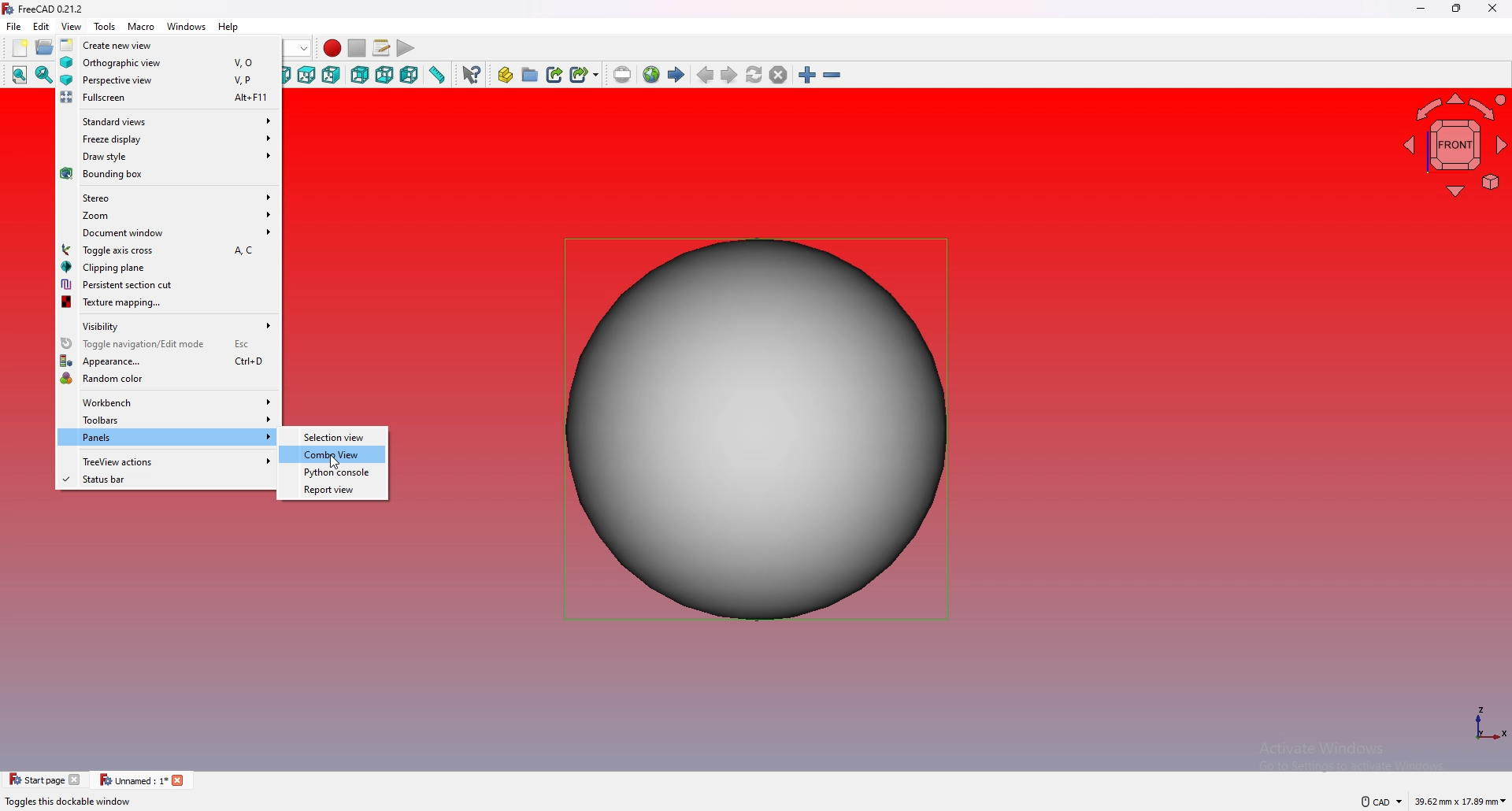 Image resolution: width=1512 pixels, height=811 pixels. I want to click on open website, so click(651, 75).